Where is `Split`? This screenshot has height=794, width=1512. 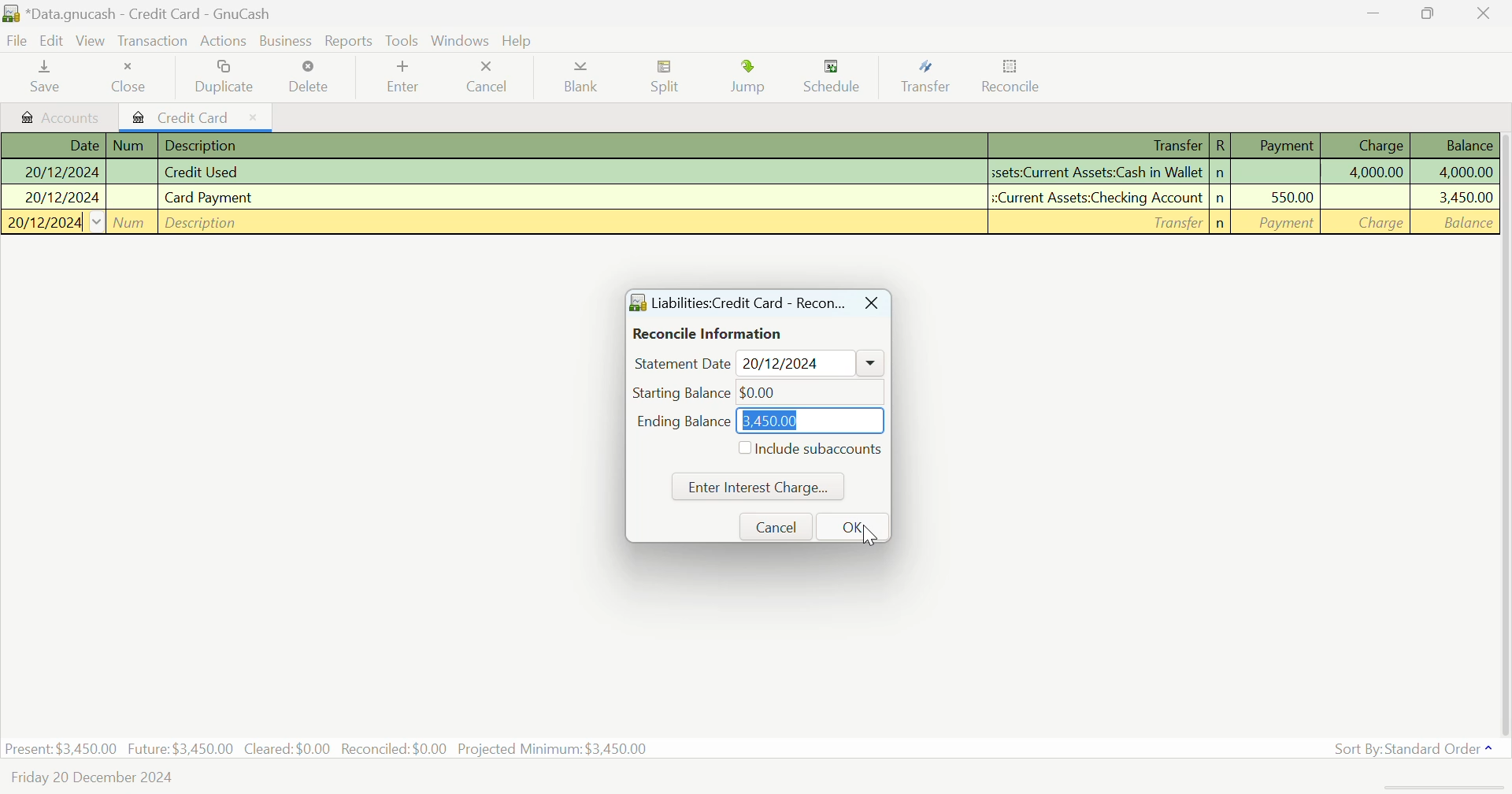 Split is located at coordinates (667, 80).